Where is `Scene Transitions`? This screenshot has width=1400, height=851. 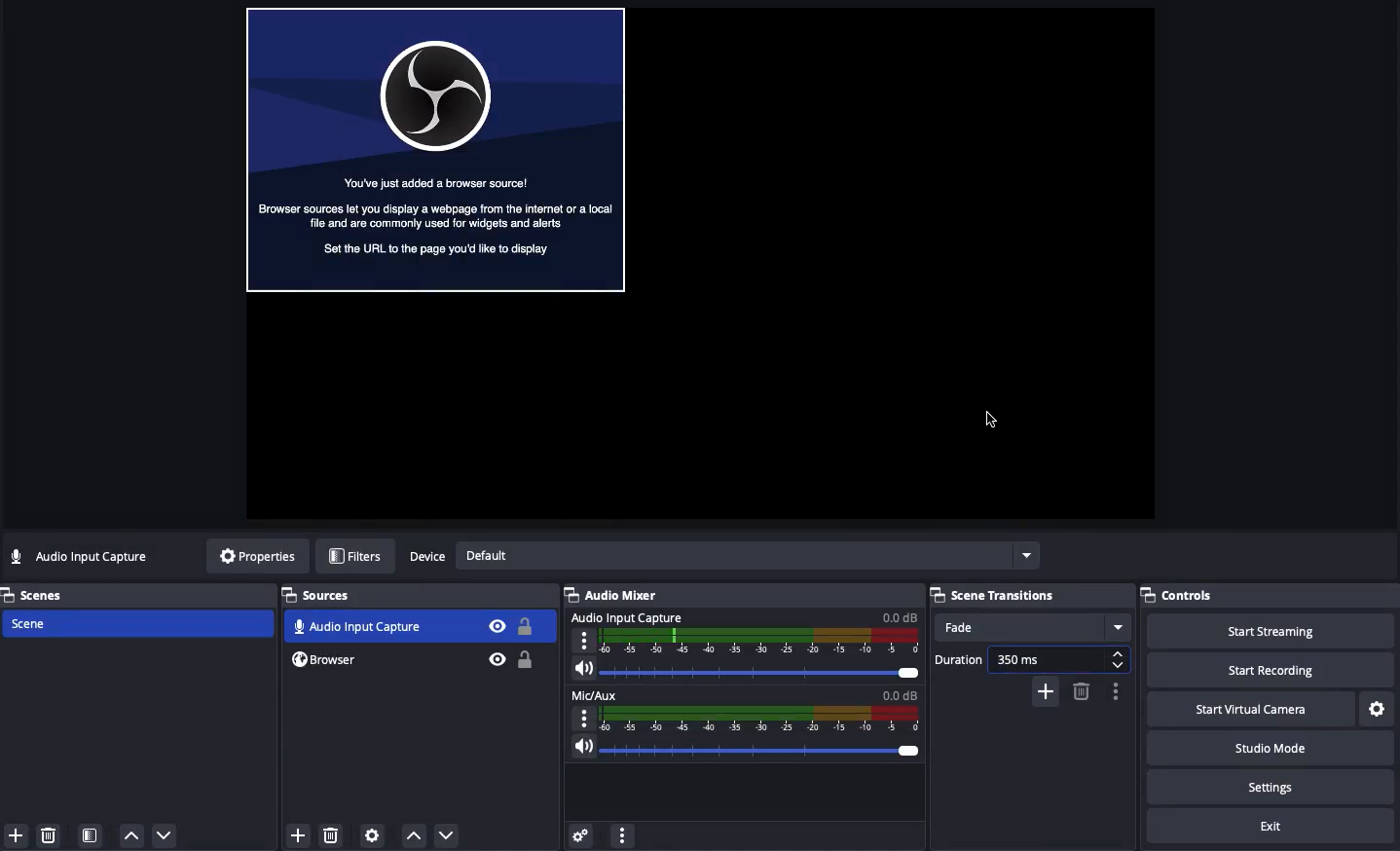 Scene Transitions is located at coordinates (979, 597).